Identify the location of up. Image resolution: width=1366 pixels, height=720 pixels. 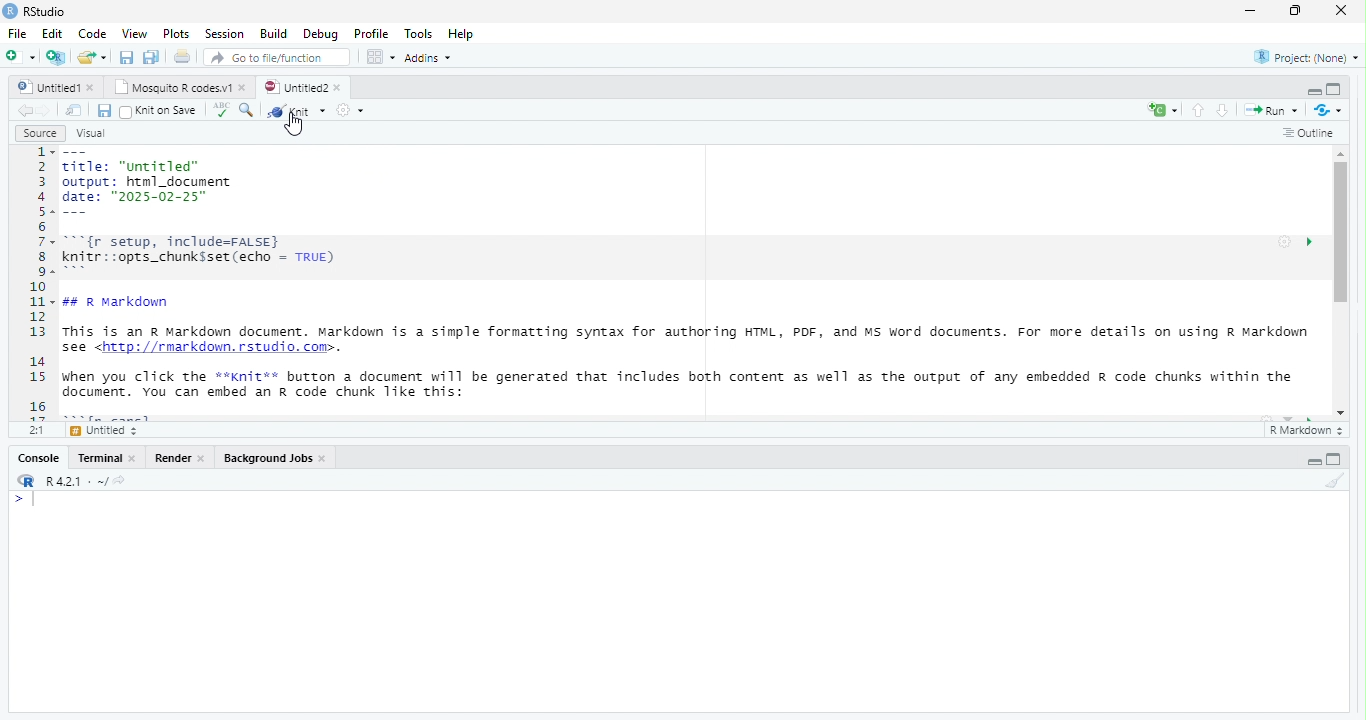
(1199, 110).